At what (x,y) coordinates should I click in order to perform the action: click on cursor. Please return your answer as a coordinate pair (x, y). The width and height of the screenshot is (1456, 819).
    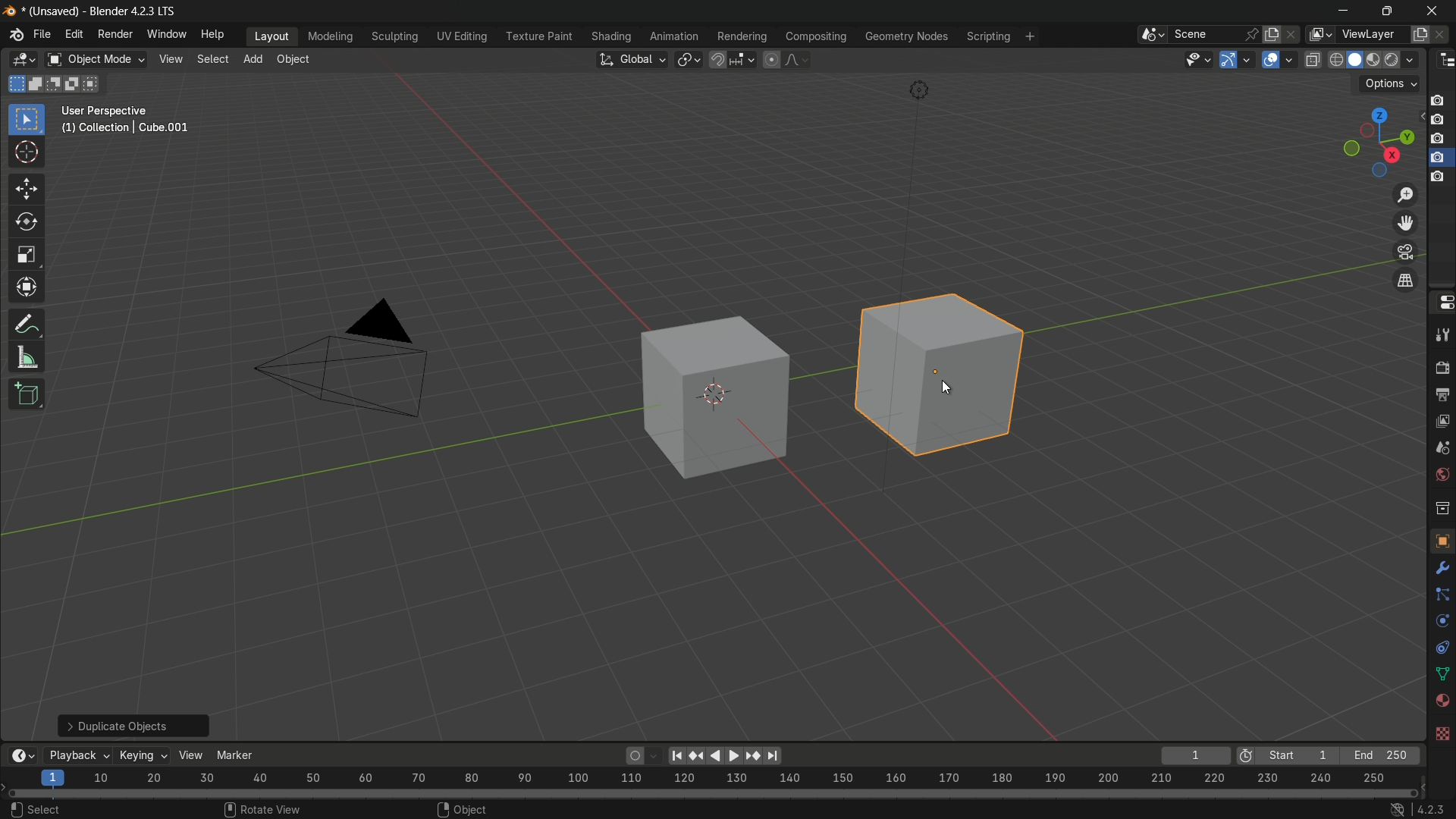
    Looking at the image, I should click on (27, 154).